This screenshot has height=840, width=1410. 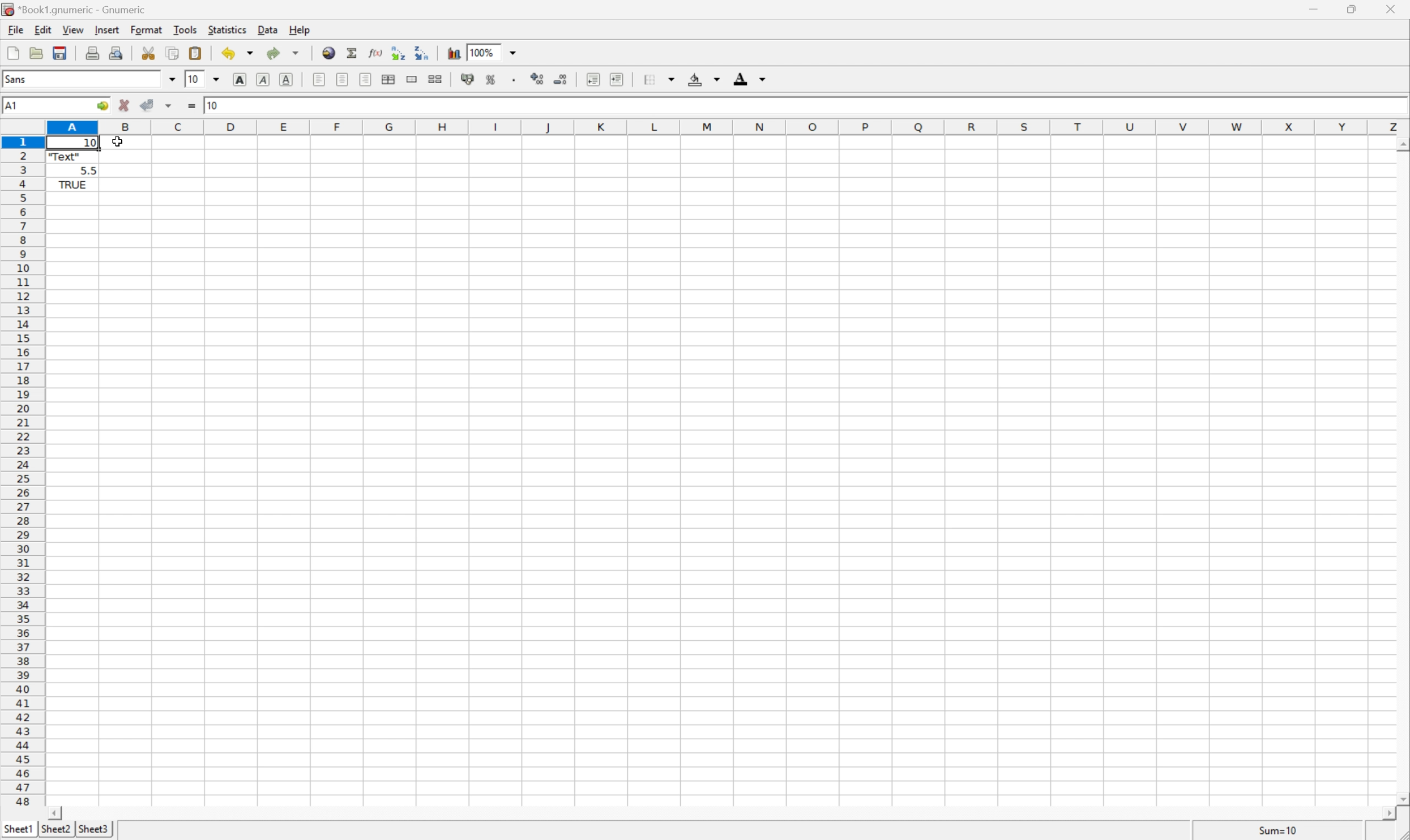 What do you see at coordinates (89, 169) in the screenshot?
I see `5.5` at bounding box center [89, 169].